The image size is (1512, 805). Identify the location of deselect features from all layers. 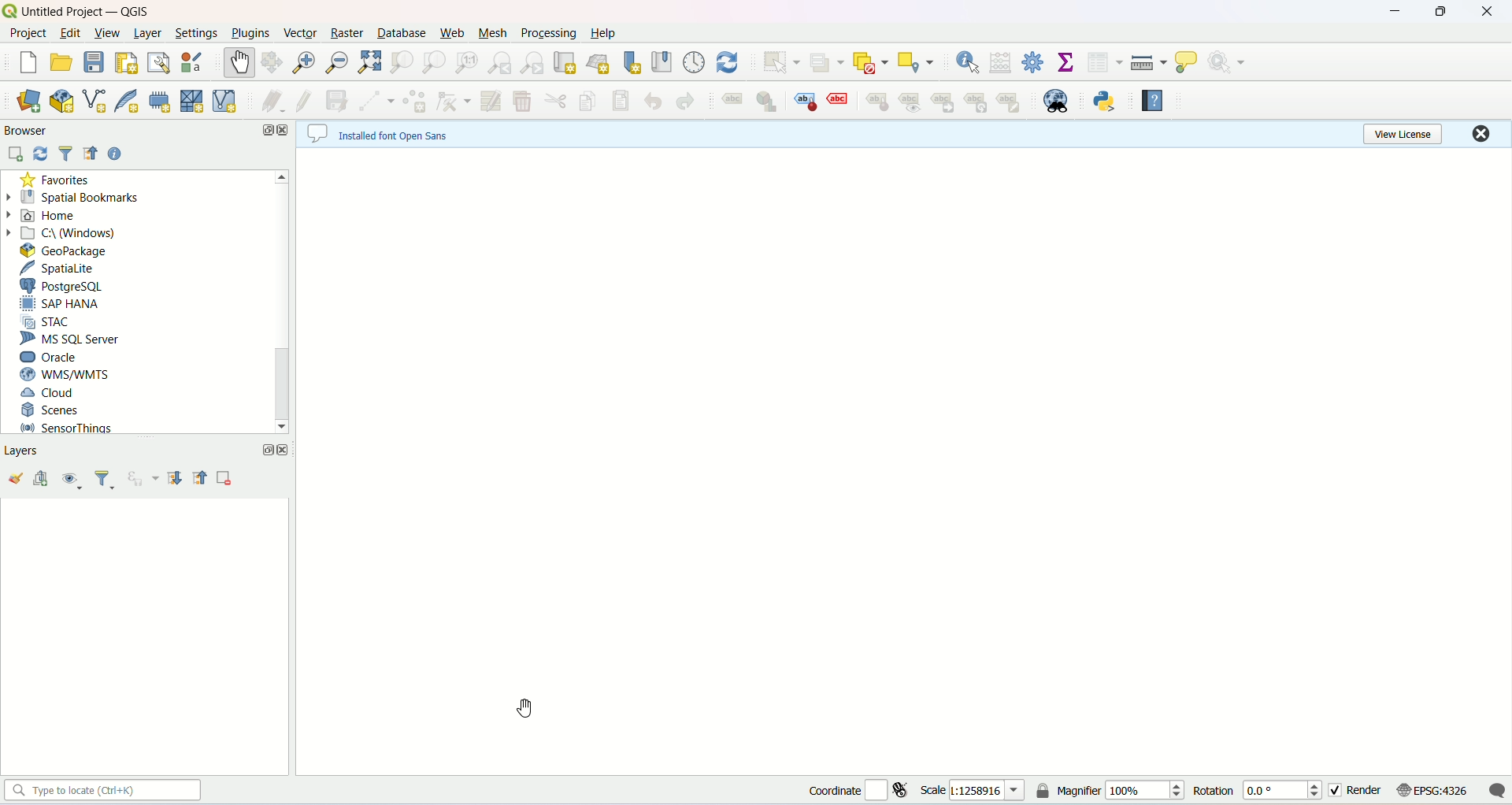
(875, 61).